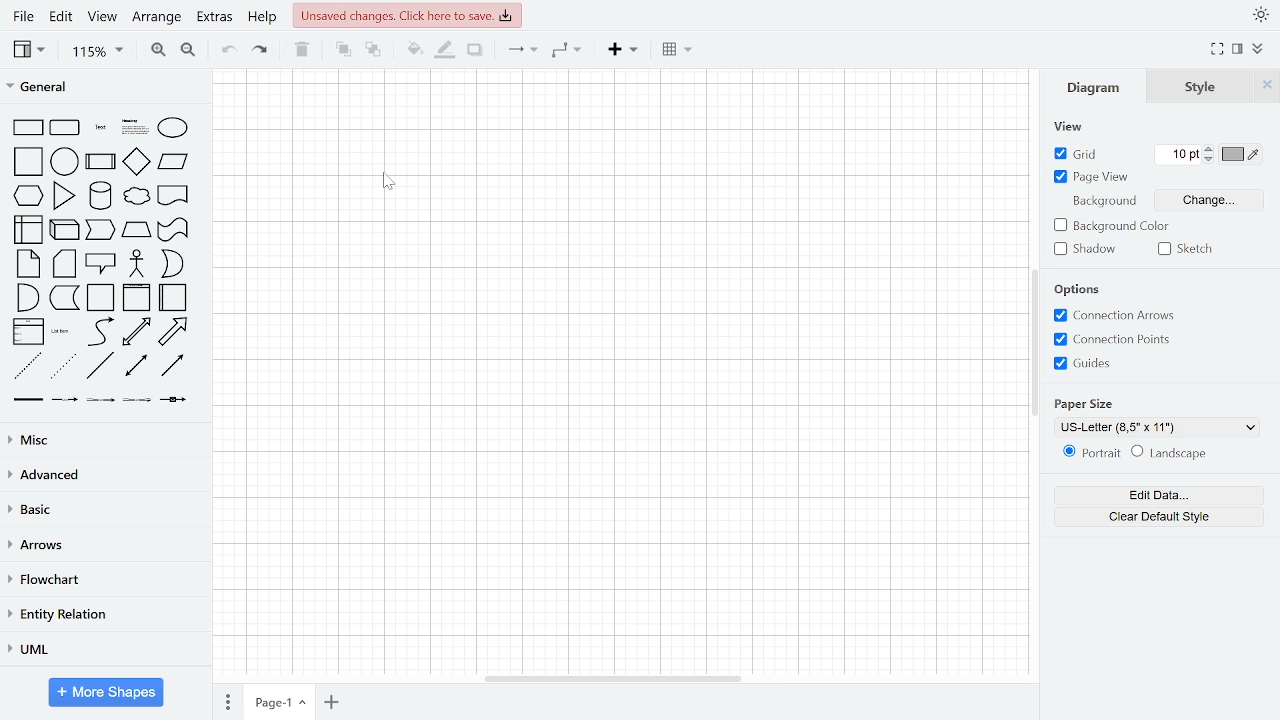 This screenshot has width=1280, height=720. What do you see at coordinates (172, 367) in the screenshot?
I see `directional connector` at bounding box center [172, 367].